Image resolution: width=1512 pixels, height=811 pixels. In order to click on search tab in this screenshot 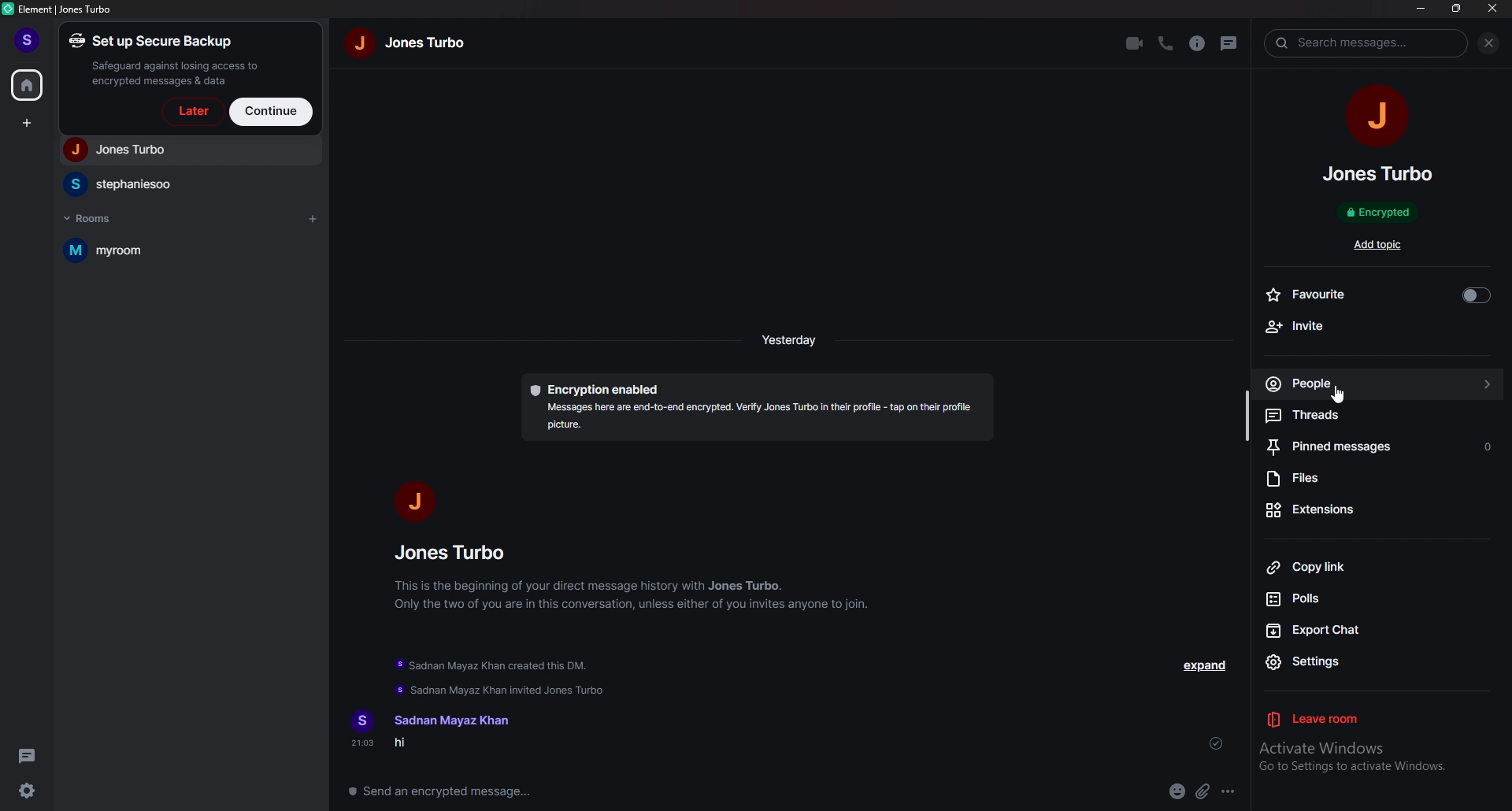, I will do `click(1368, 43)`.